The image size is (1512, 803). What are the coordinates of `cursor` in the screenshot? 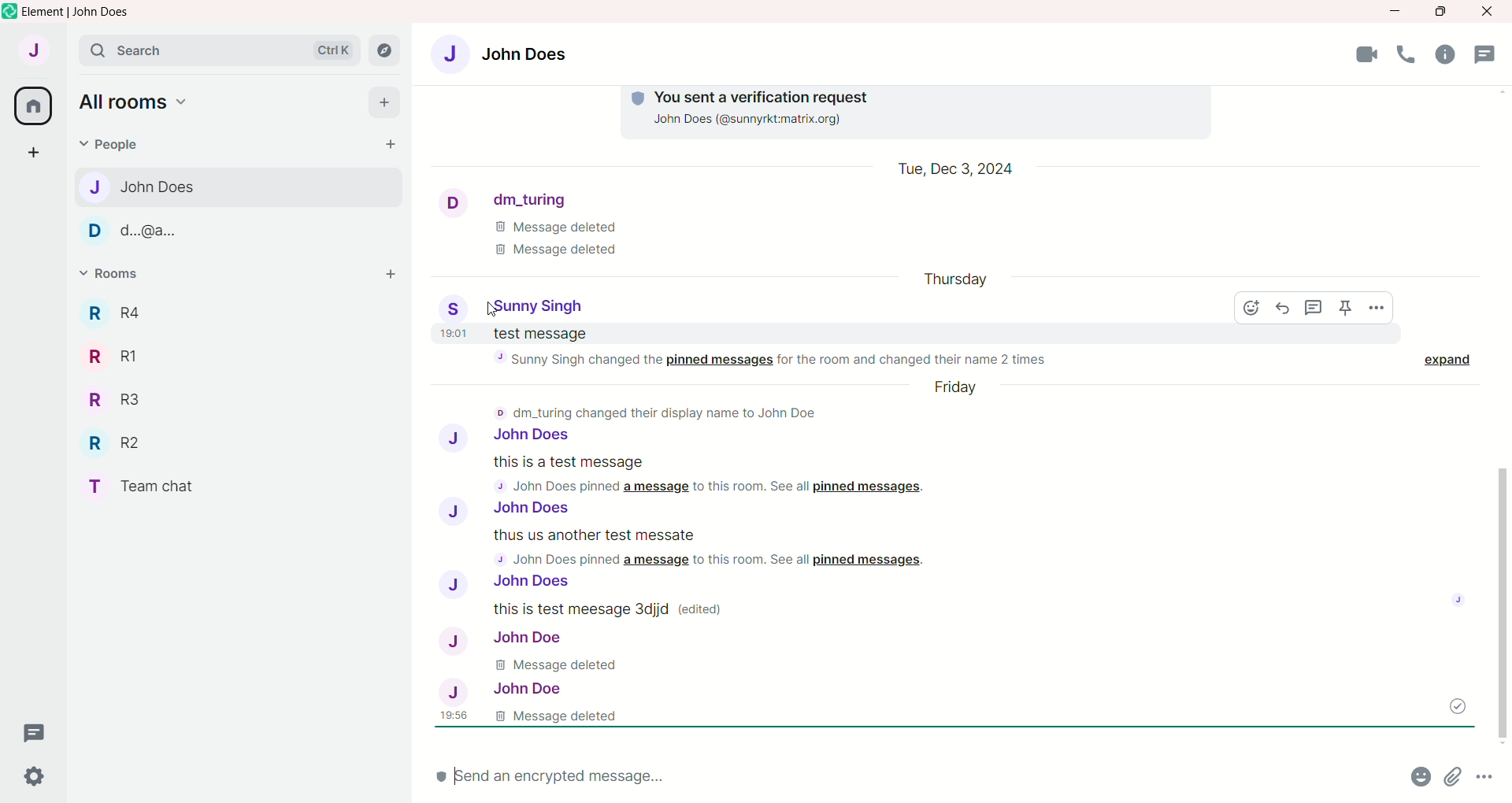 It's located at (491, 306).